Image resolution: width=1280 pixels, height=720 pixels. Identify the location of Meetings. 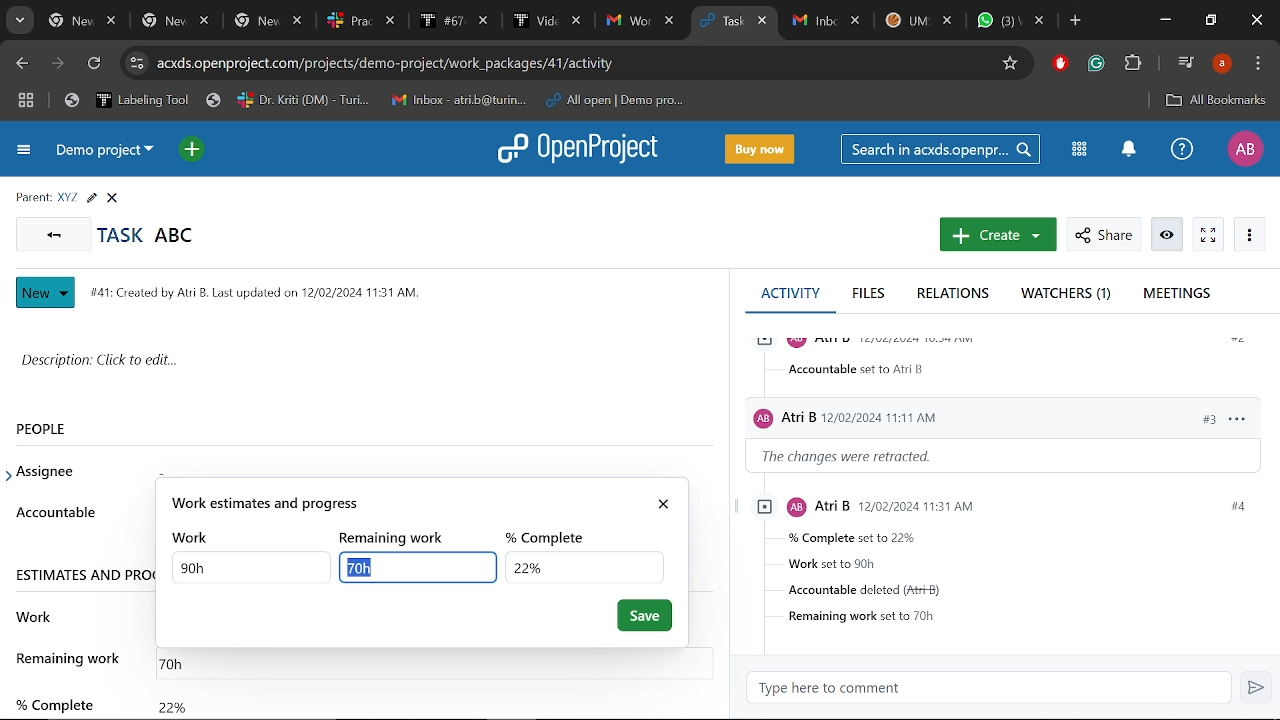
(1177, 294).